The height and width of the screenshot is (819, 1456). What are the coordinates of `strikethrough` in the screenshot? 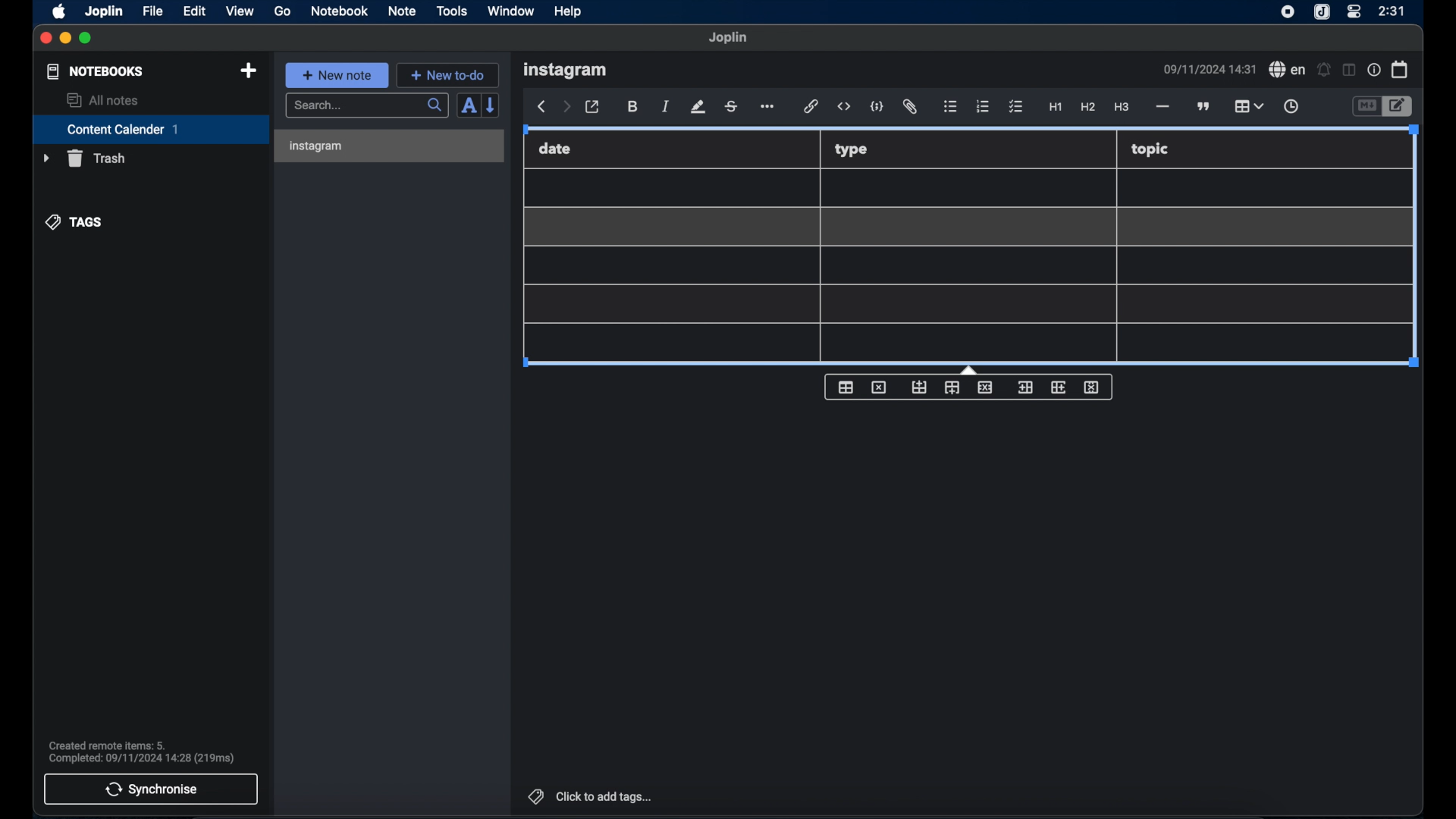 It's located at (730, 108).